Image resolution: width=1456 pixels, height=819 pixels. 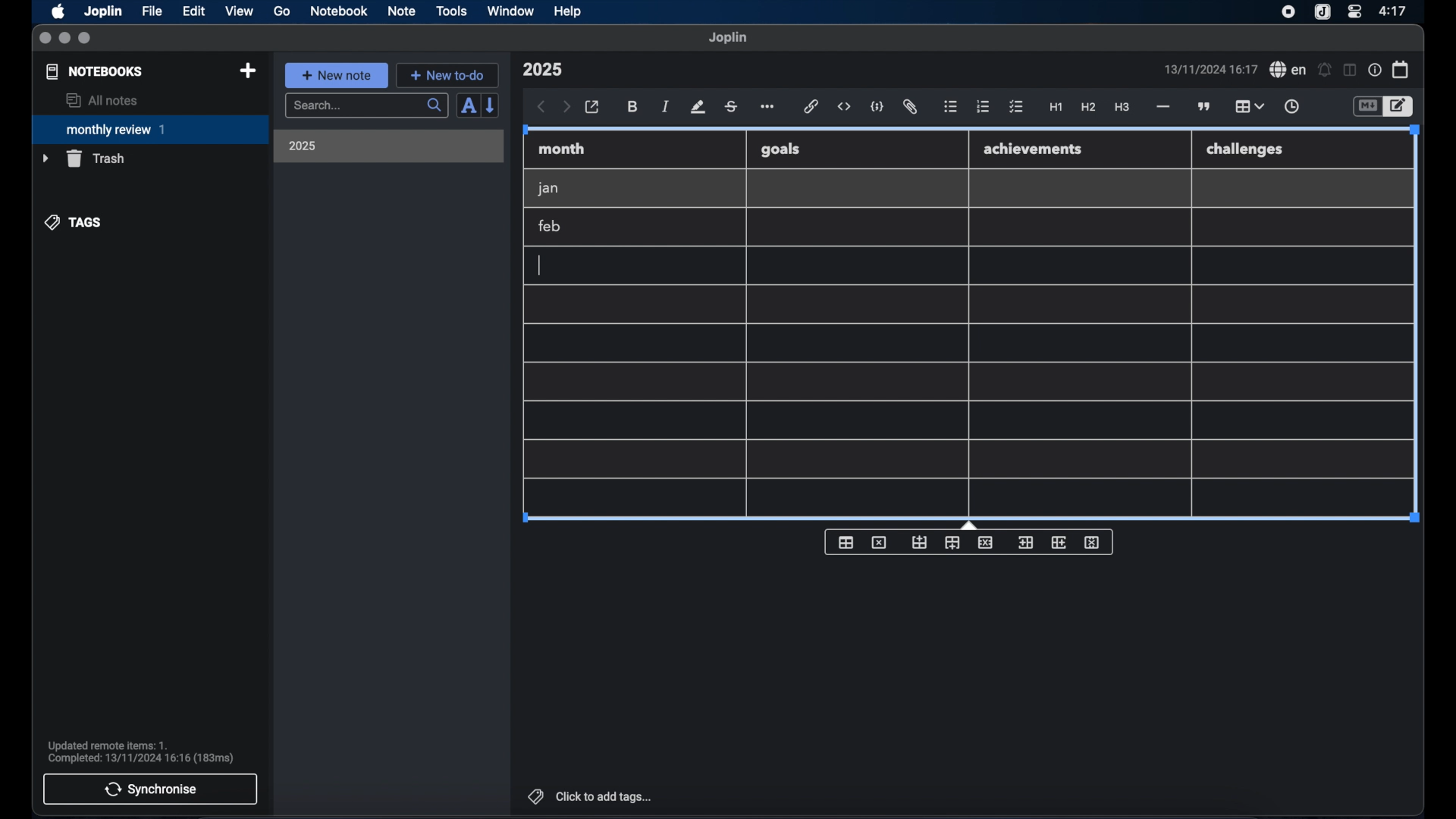 What do you see at coordinates (64, 39) in the screenshot?
I see `minimize` at bounding box center [64, 39].